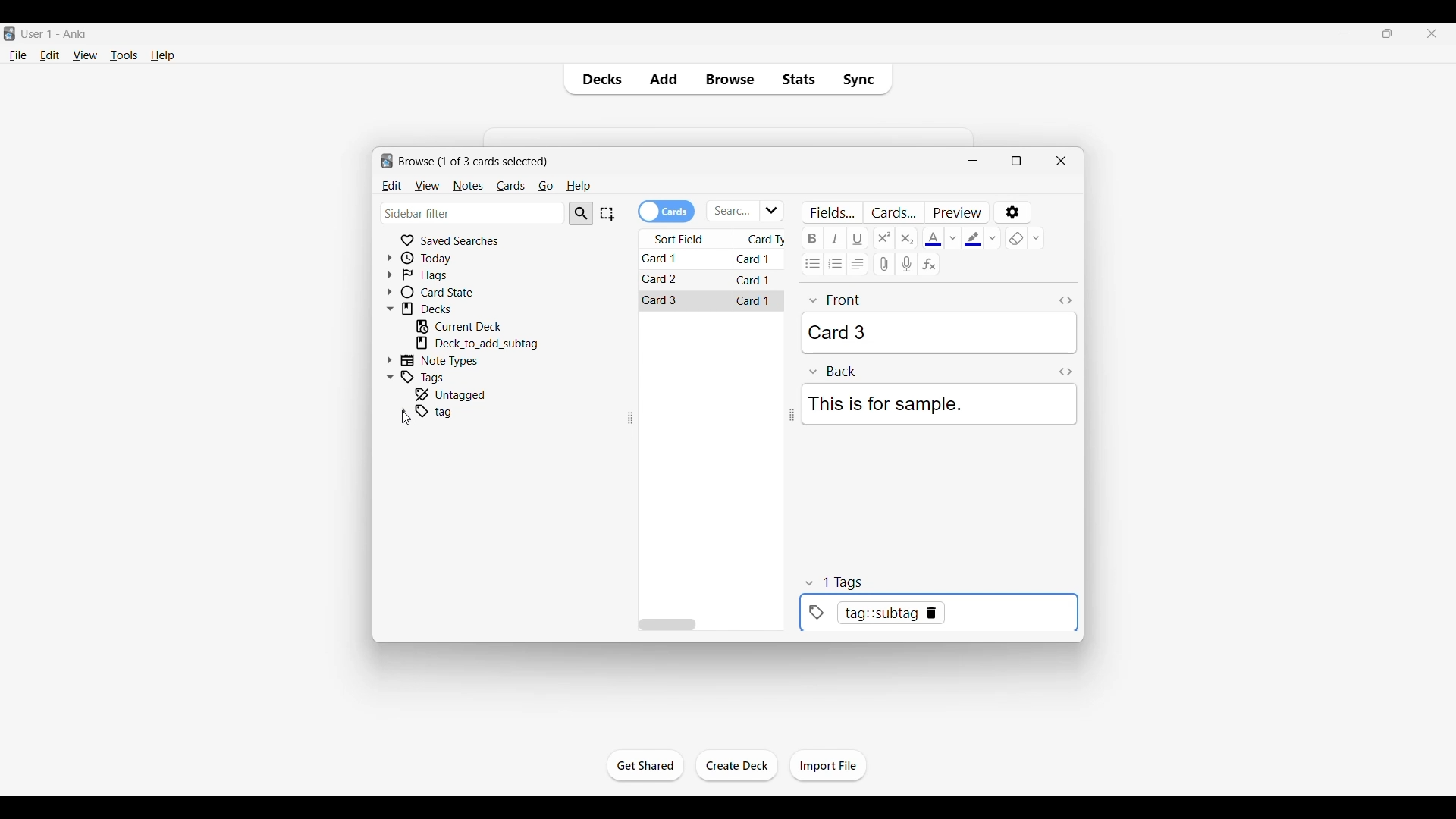 This screenshot has height=819, width=1456. What do you see at coordinates (935, 614) in the screenshot?
I see `tag::subtag` at bounding box center [935, 614].